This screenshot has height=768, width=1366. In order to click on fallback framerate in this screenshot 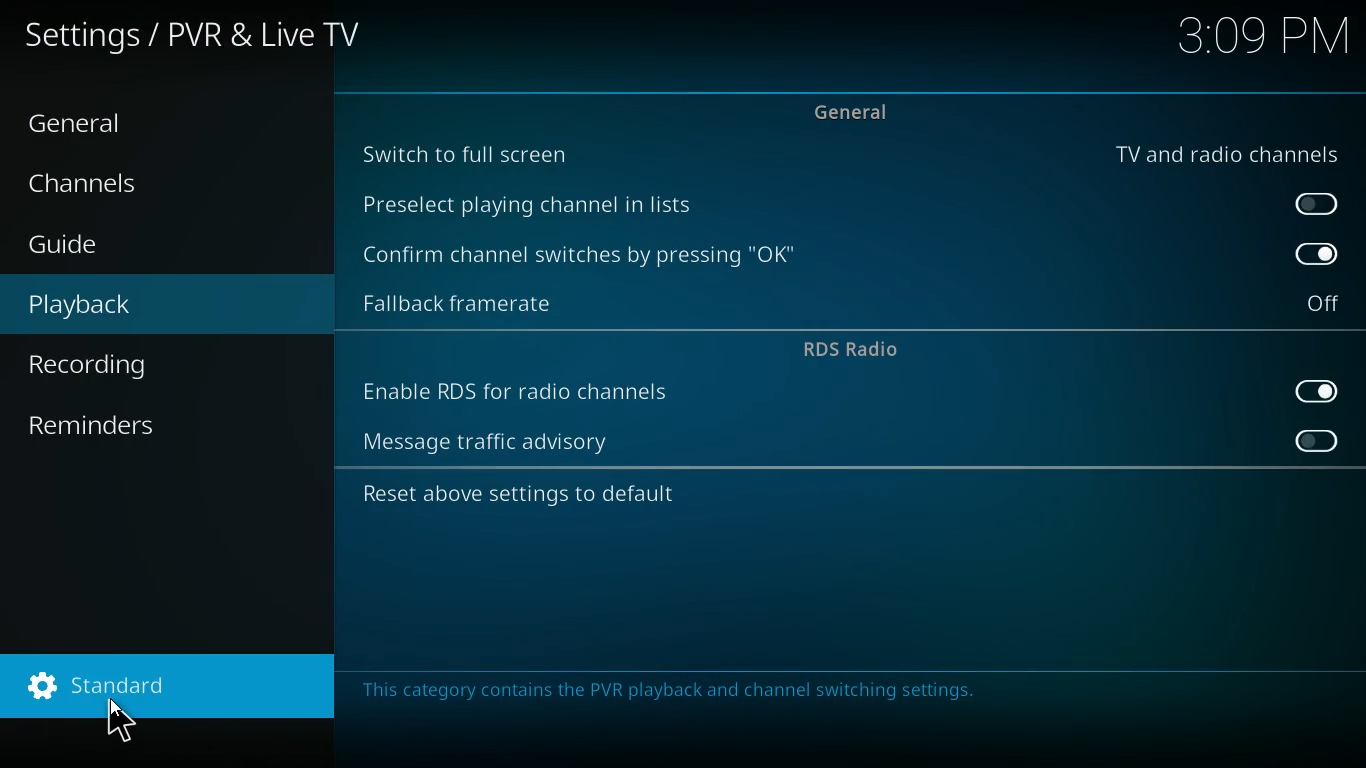, I will do `click(473, 304)`.